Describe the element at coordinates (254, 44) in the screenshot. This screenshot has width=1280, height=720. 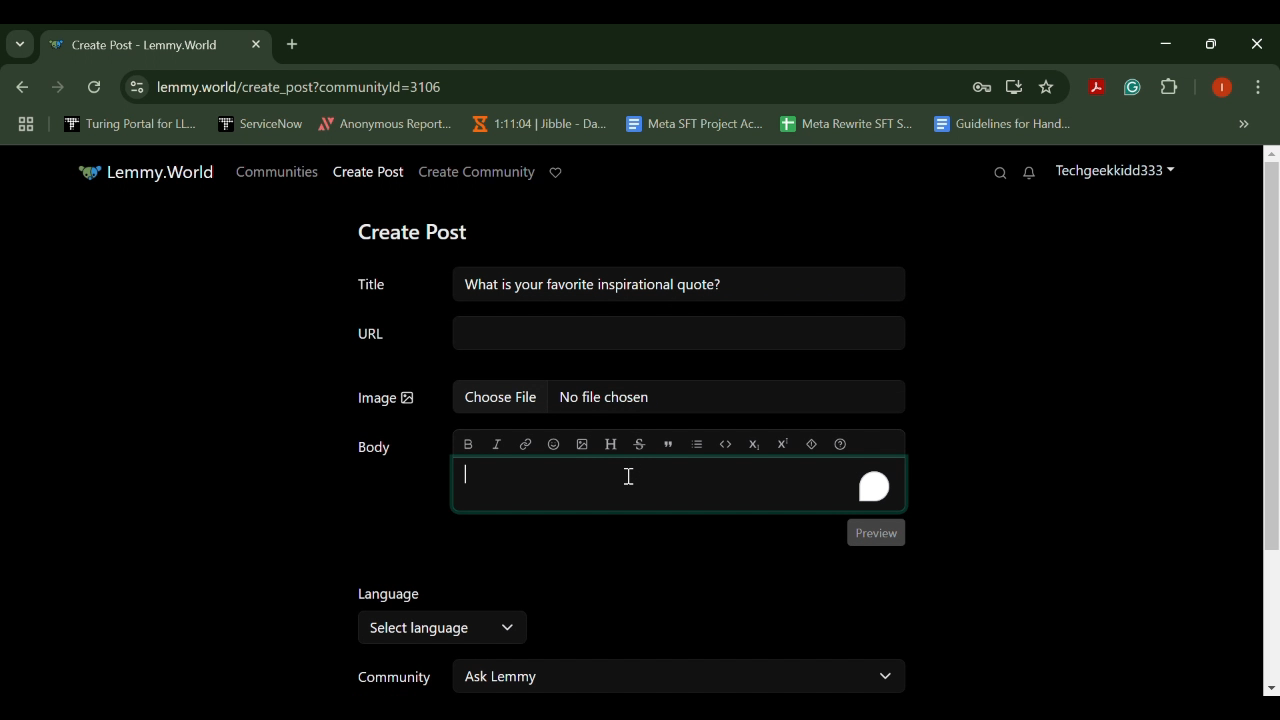
I see `Close Tab` at that location.